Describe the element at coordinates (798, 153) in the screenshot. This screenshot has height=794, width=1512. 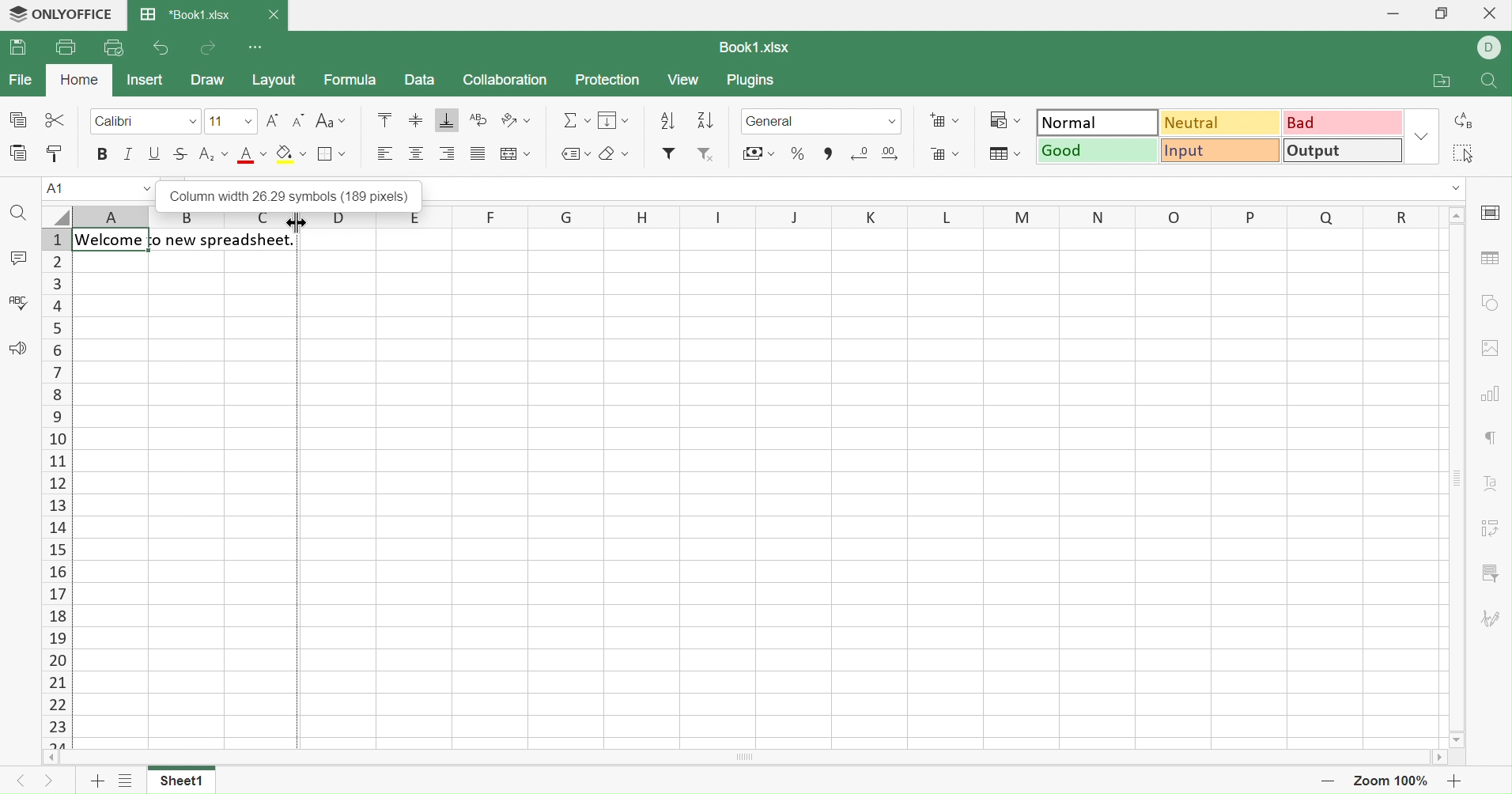
I see `Percentage style` at that location.